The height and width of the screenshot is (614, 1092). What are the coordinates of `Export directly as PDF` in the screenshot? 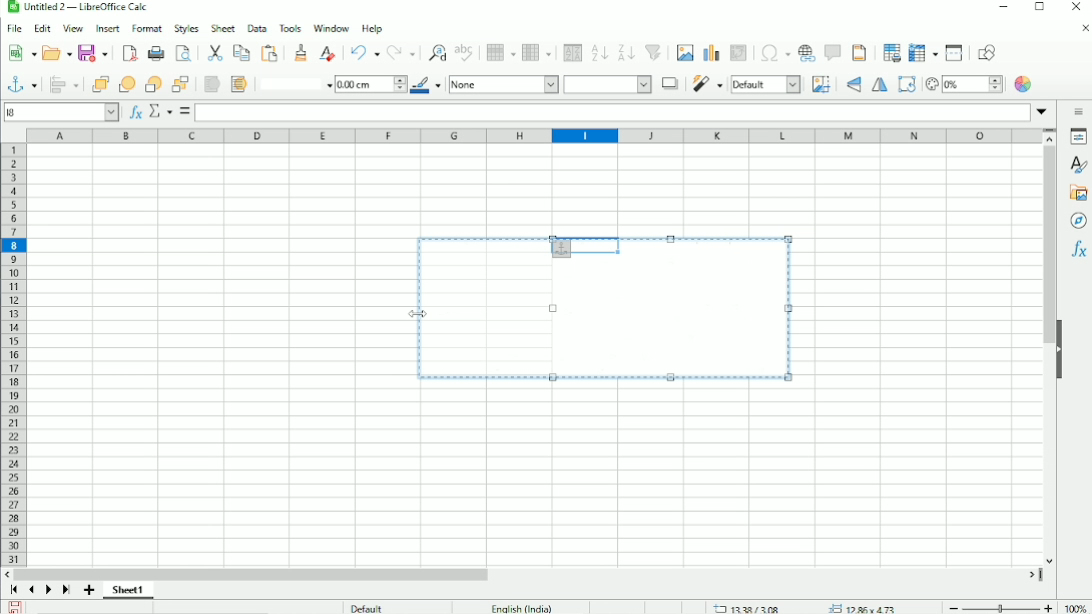 It's located at (128, 54).